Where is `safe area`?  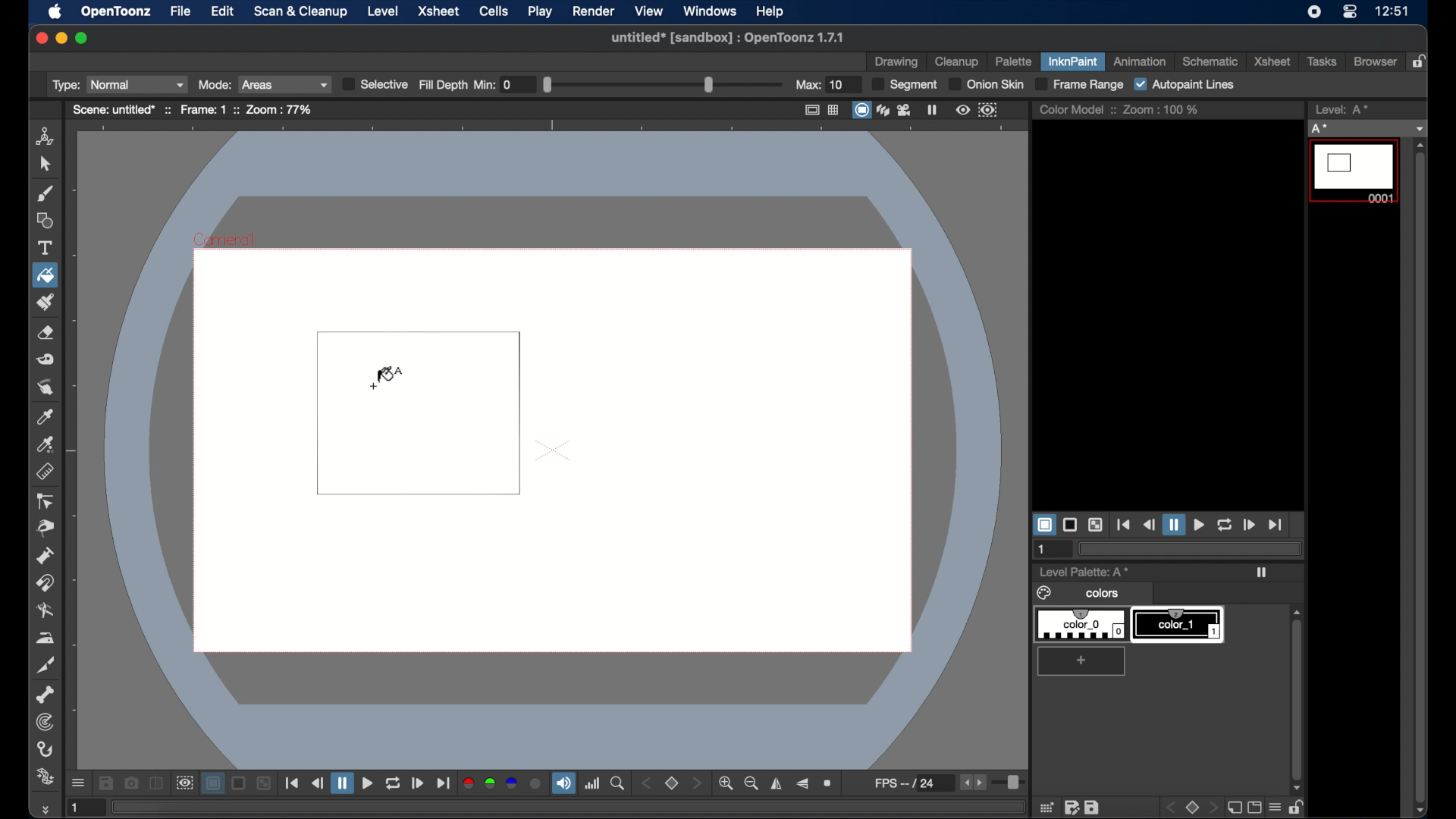
safe area is located at coordinates (810, 109).